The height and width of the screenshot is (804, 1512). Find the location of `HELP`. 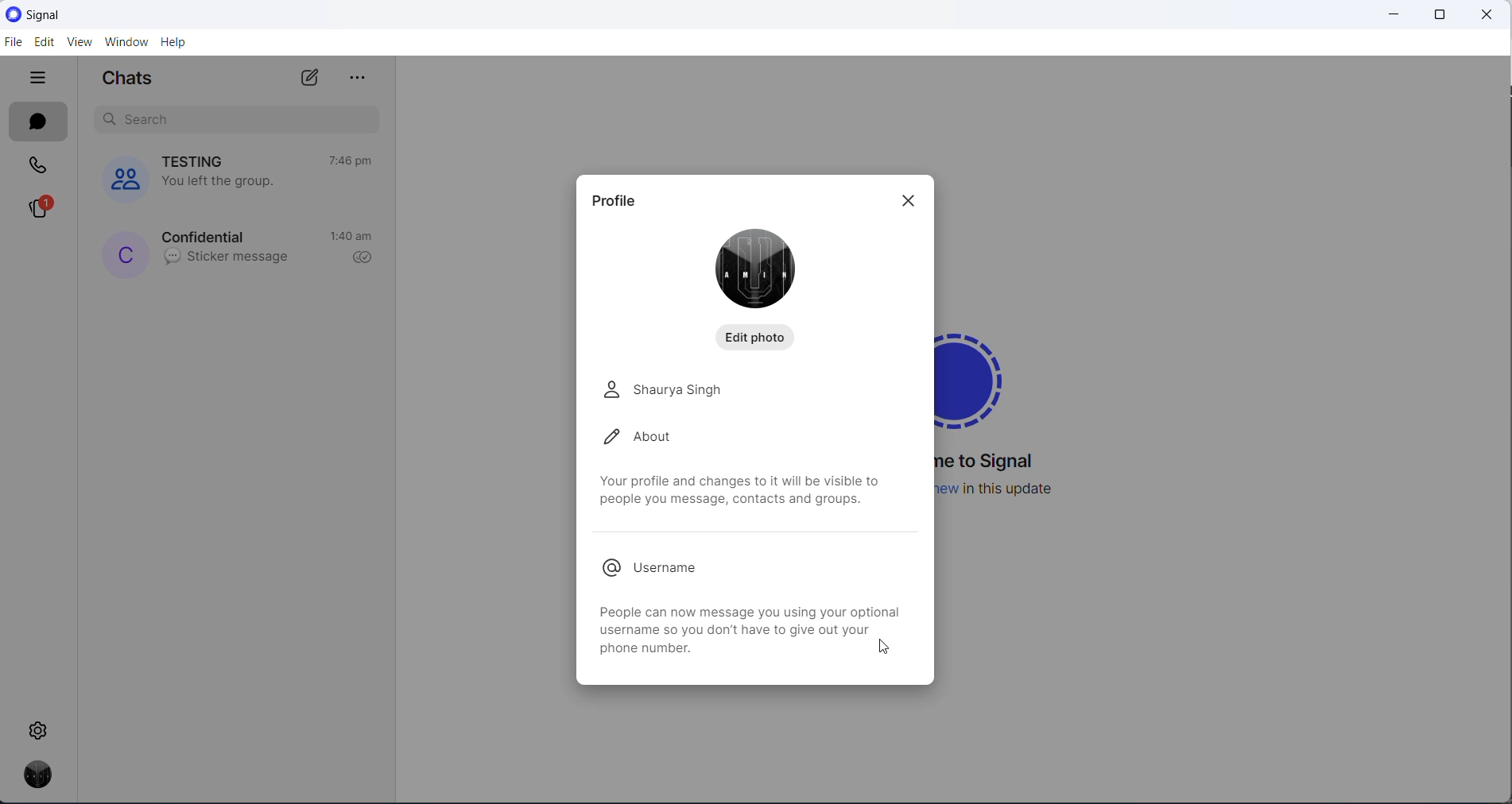

HELP is located at coordinates (174, 41).